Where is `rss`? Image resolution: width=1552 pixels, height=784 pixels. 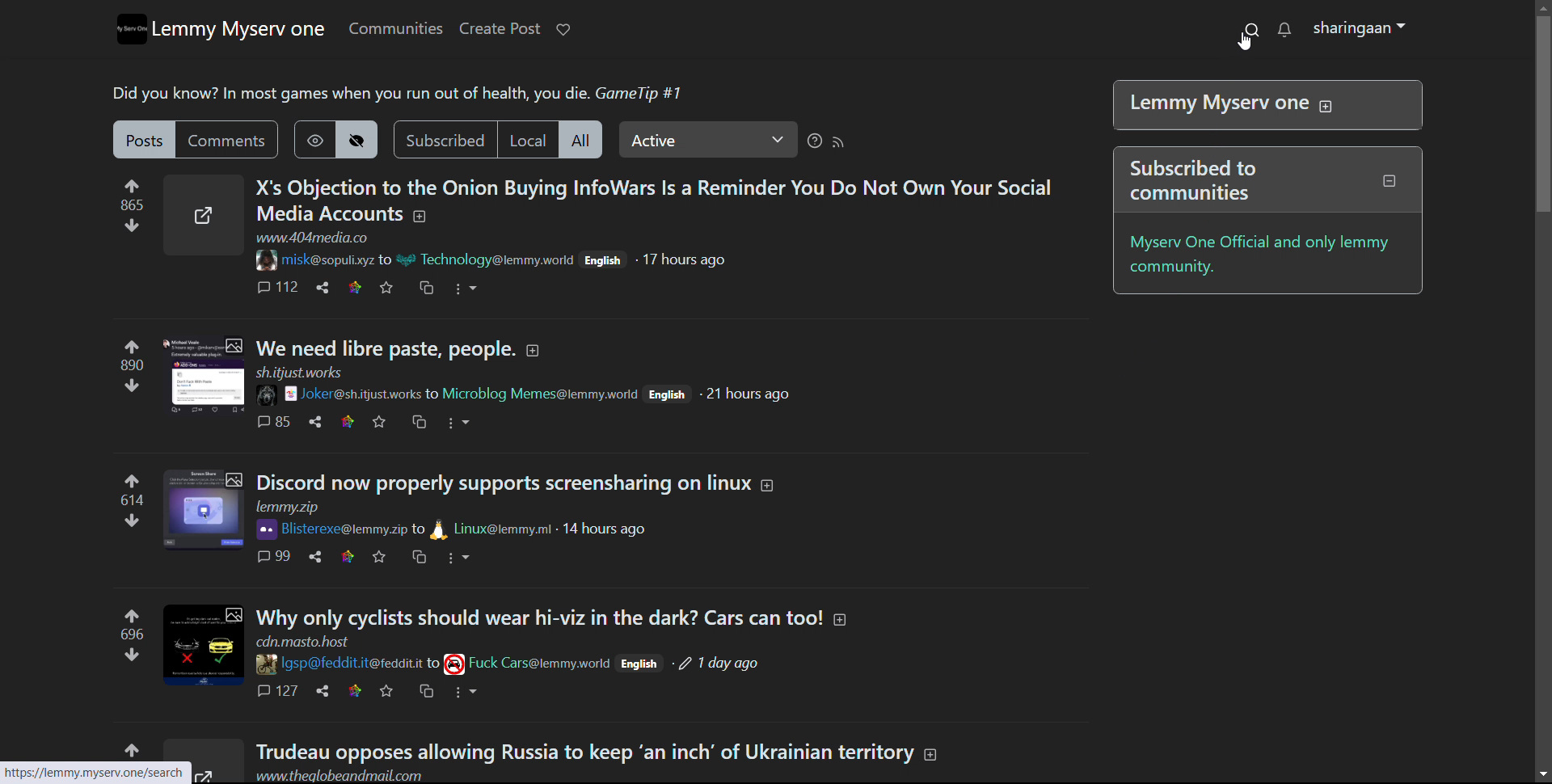 rss is located at coordinates (839, 142).